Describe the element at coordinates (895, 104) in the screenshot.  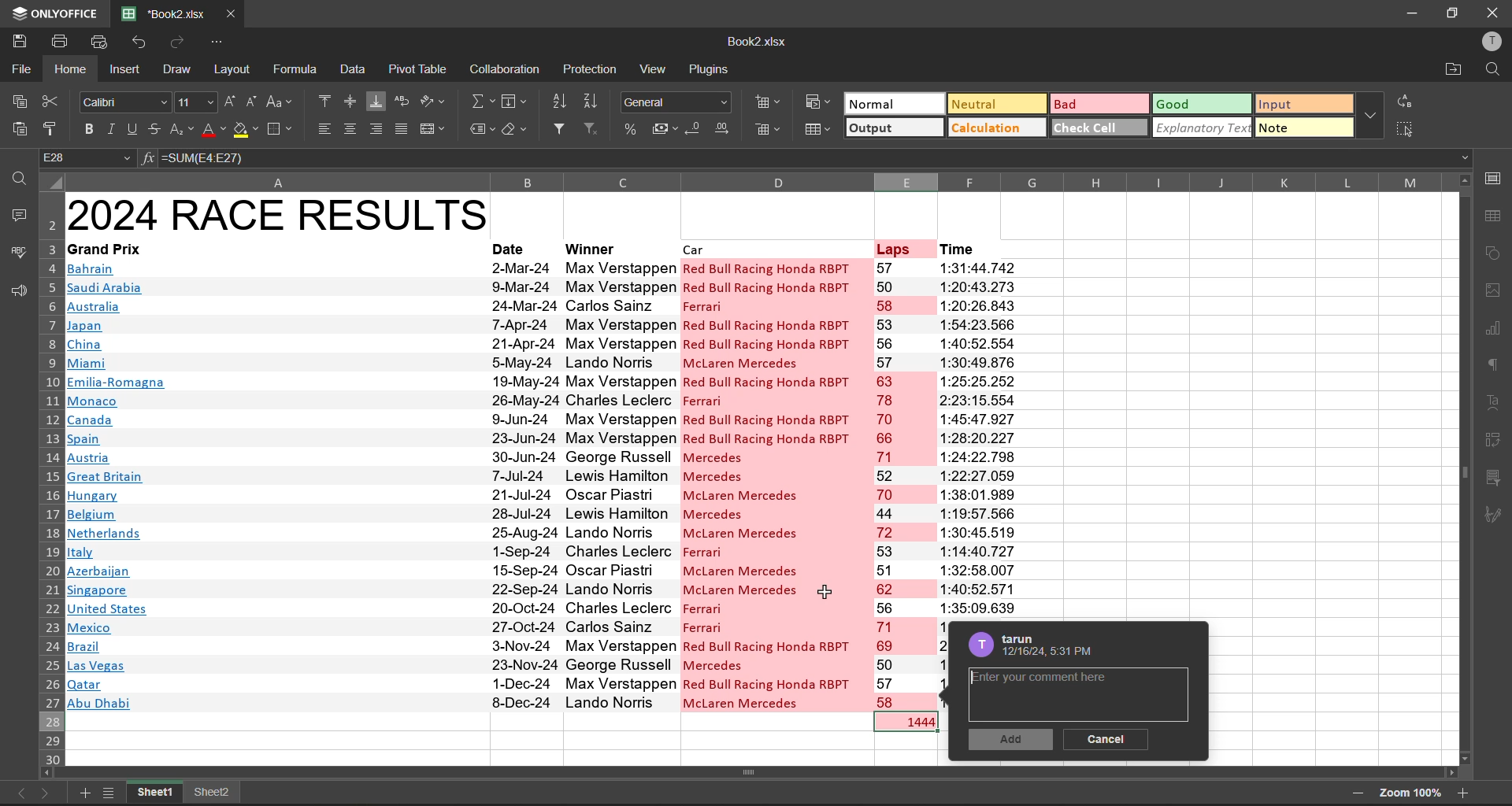
I see `normal` at that location.